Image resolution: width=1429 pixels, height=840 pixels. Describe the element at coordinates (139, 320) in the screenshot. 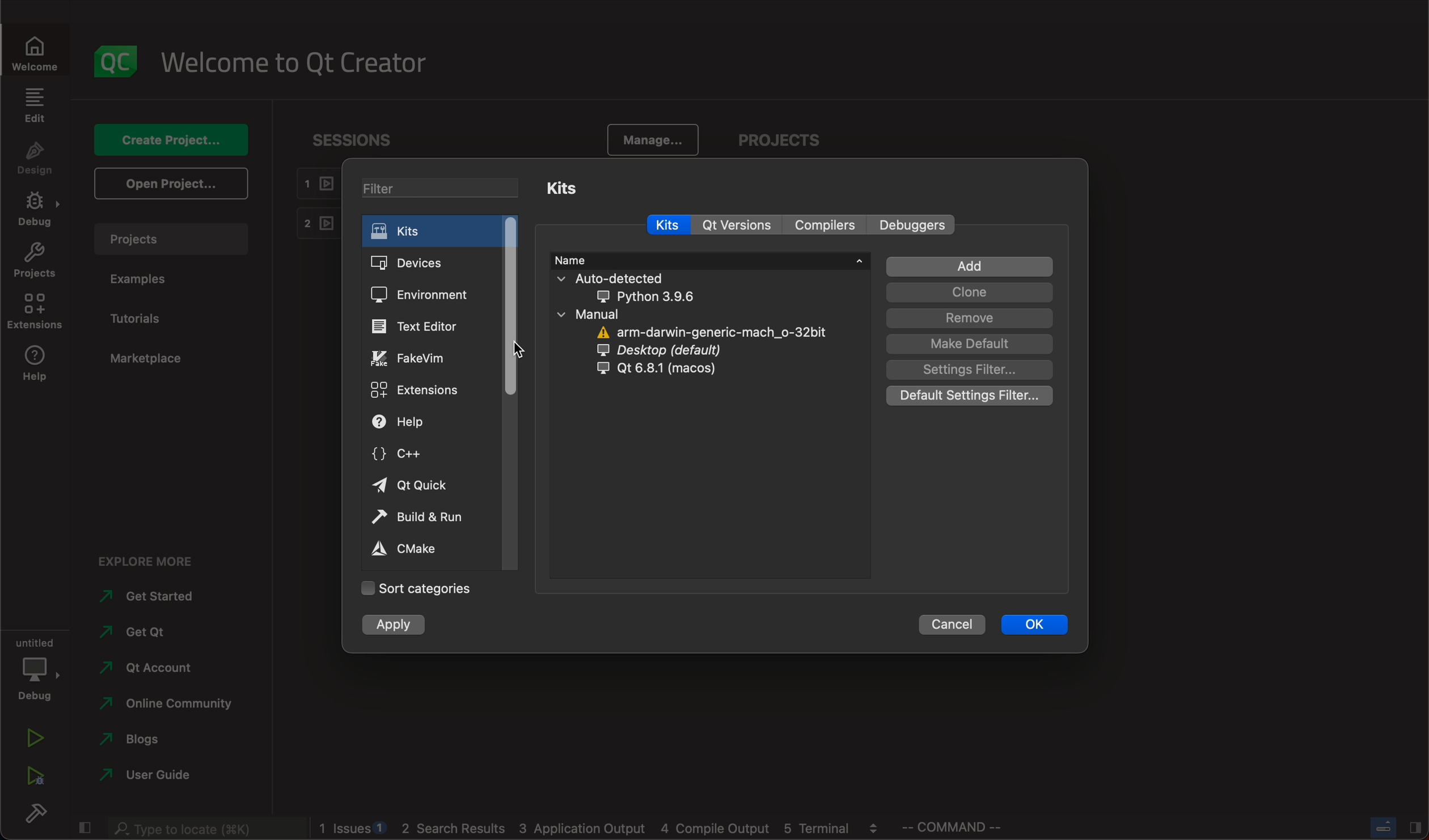

I see `tutorials` at that location.